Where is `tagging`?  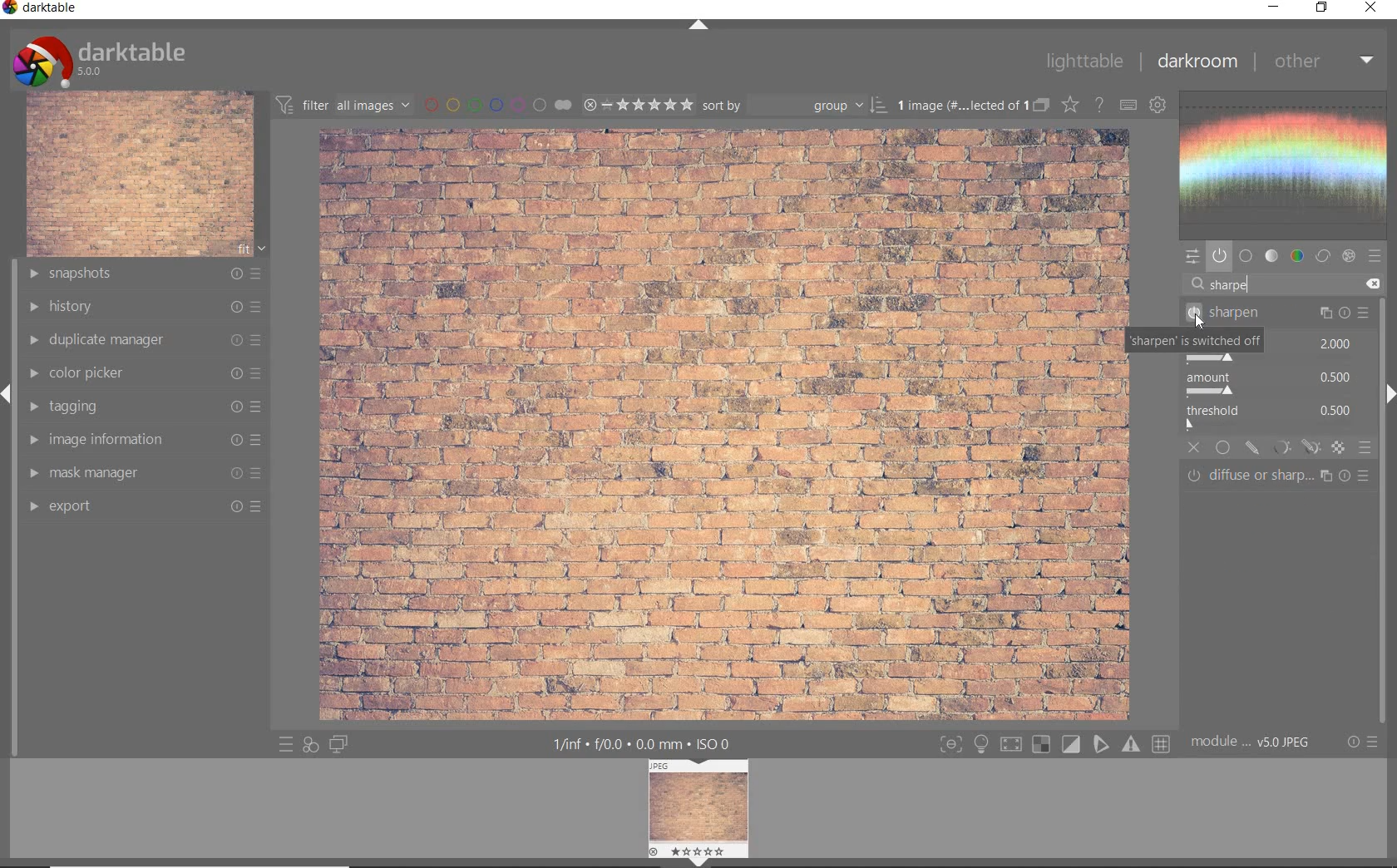 tagging is located at coordinates (147, 407).